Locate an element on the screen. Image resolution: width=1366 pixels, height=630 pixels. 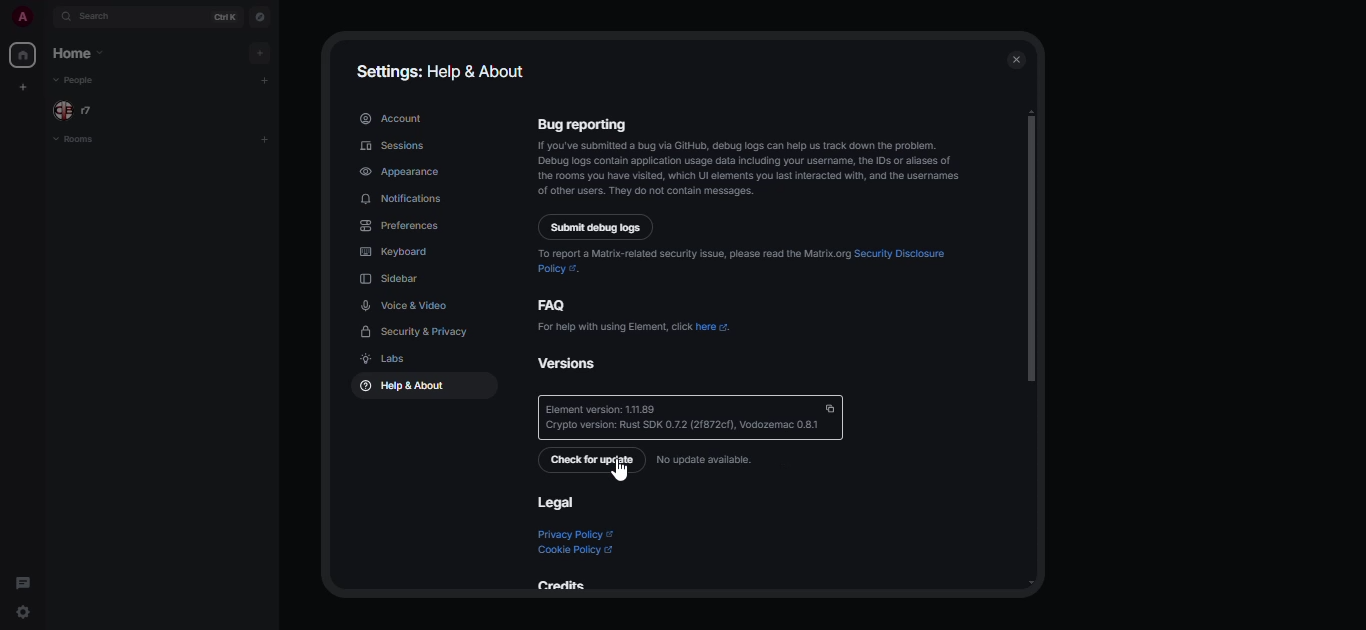
profile is located at coordinates (17, 17).